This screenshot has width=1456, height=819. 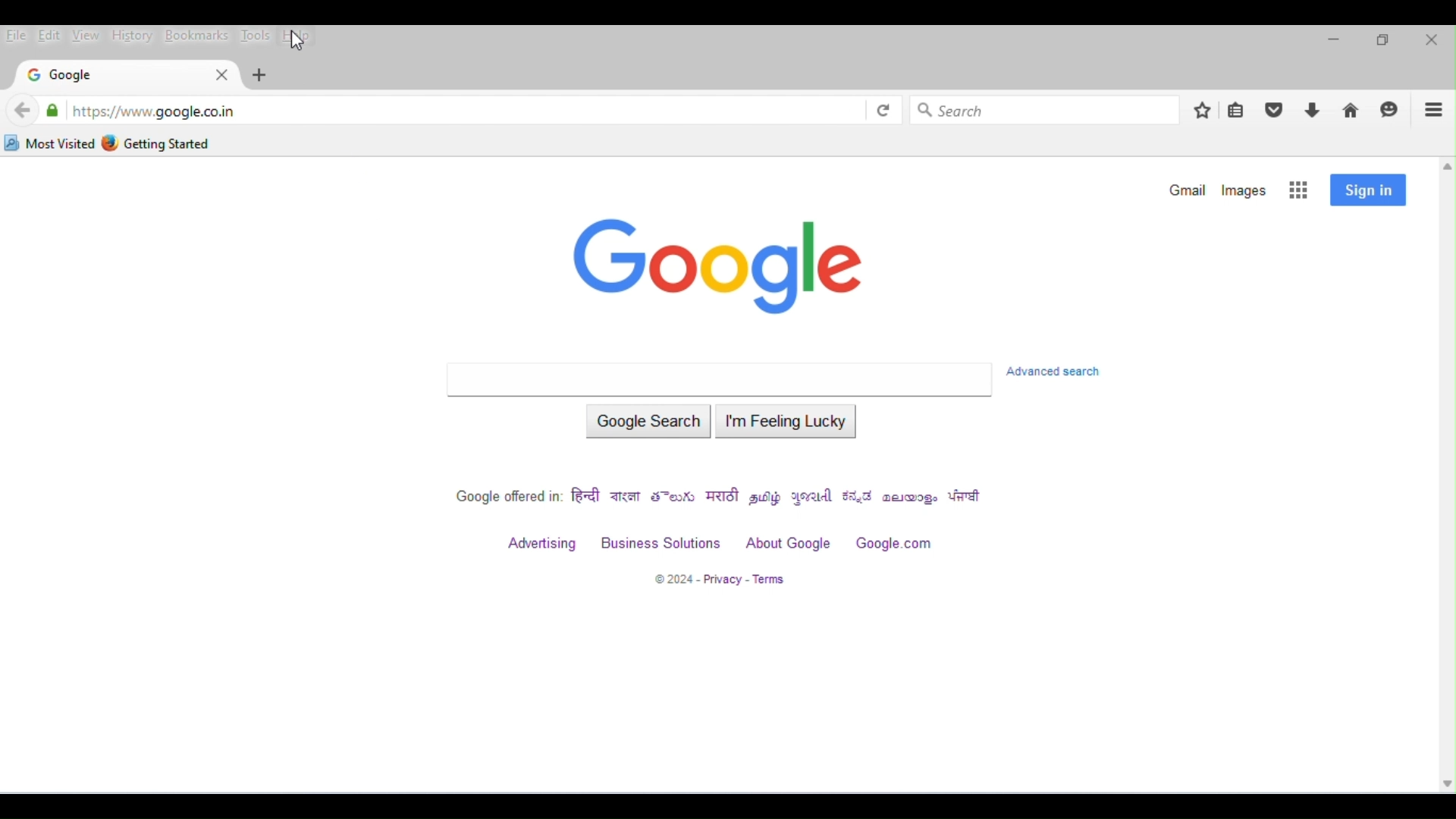 I want to click on getting started, so click(x=159, y=143).